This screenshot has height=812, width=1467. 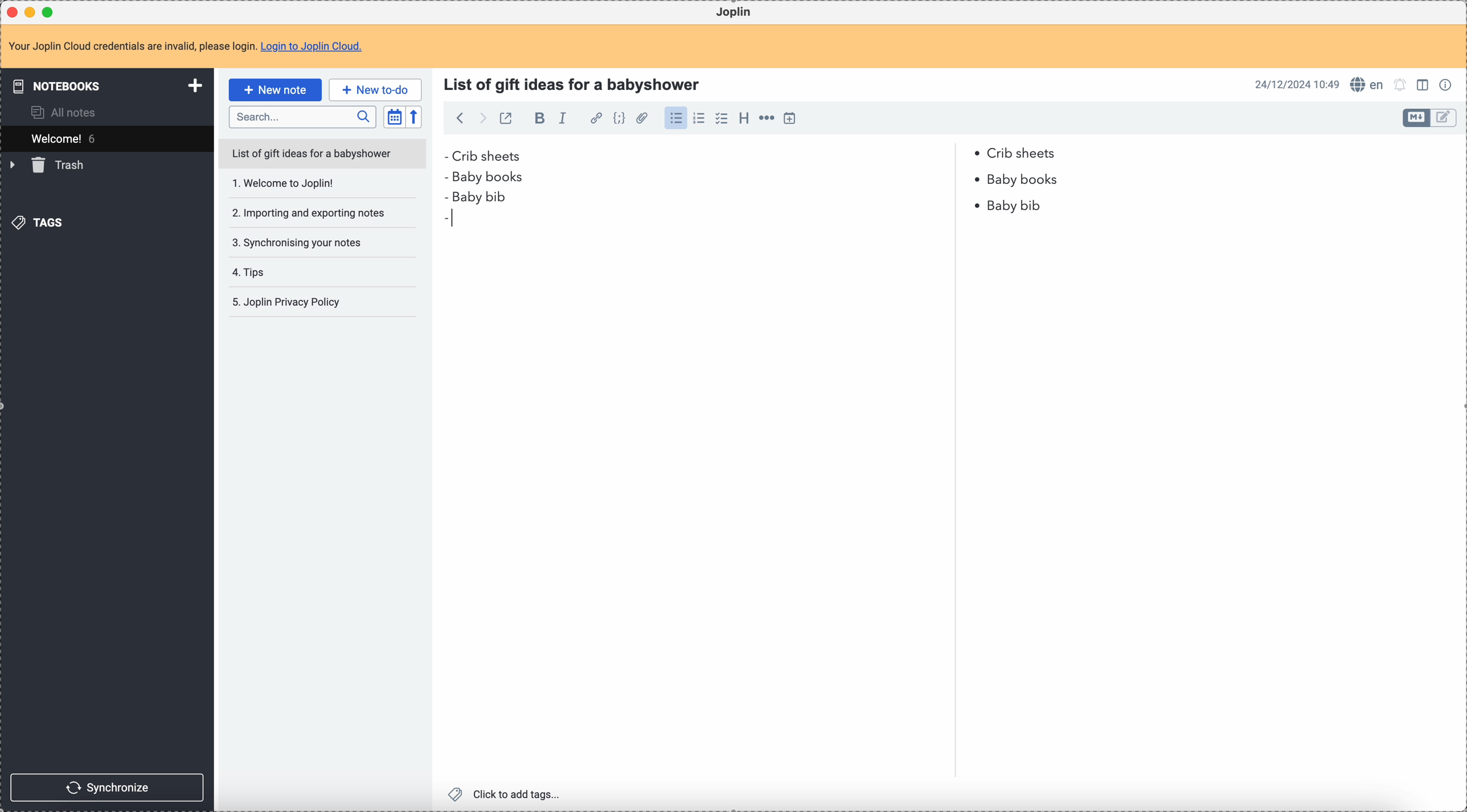 I want to click on close Joplin, so click(x=11, y=12).